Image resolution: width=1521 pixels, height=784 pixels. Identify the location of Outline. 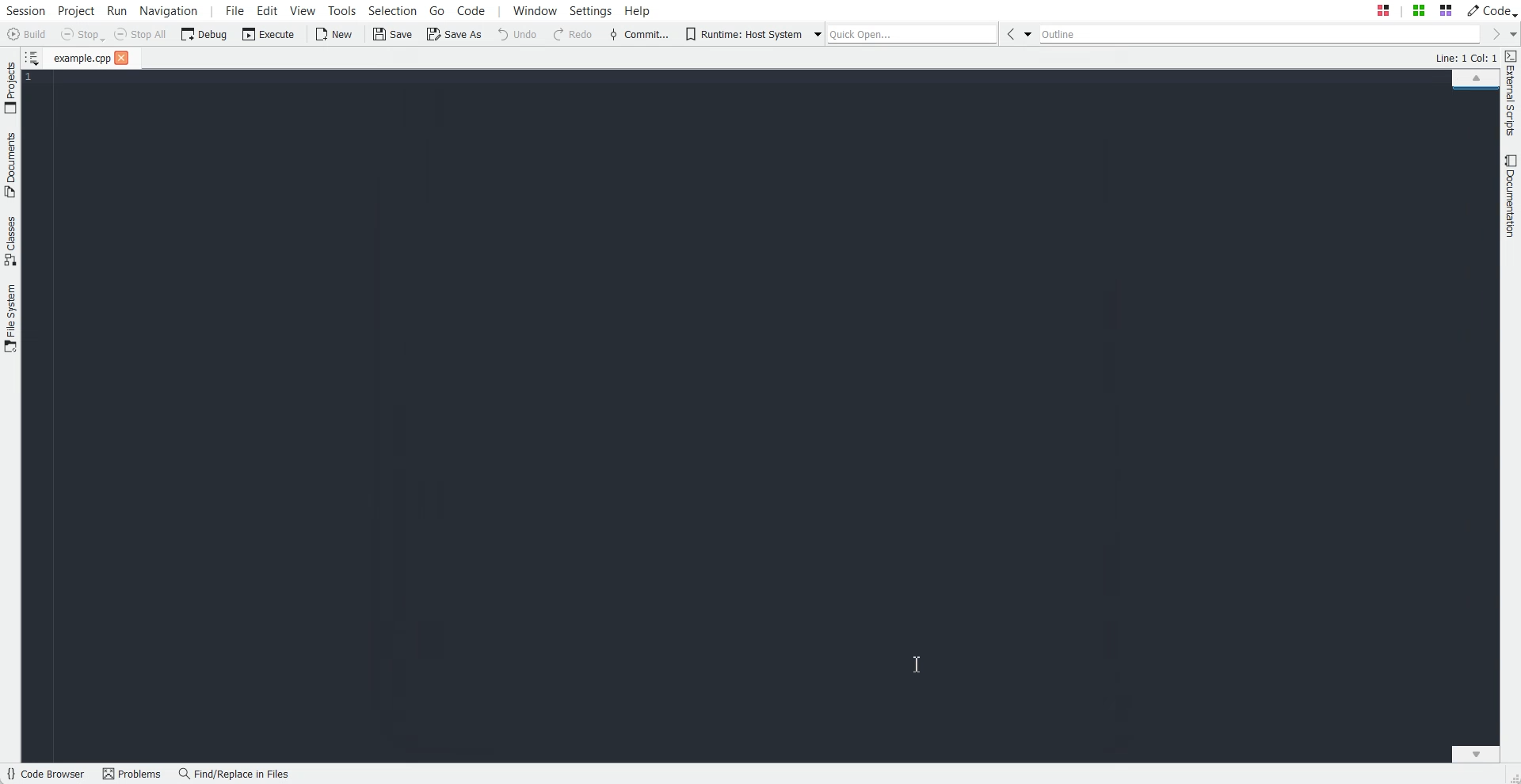
(1259, 33).